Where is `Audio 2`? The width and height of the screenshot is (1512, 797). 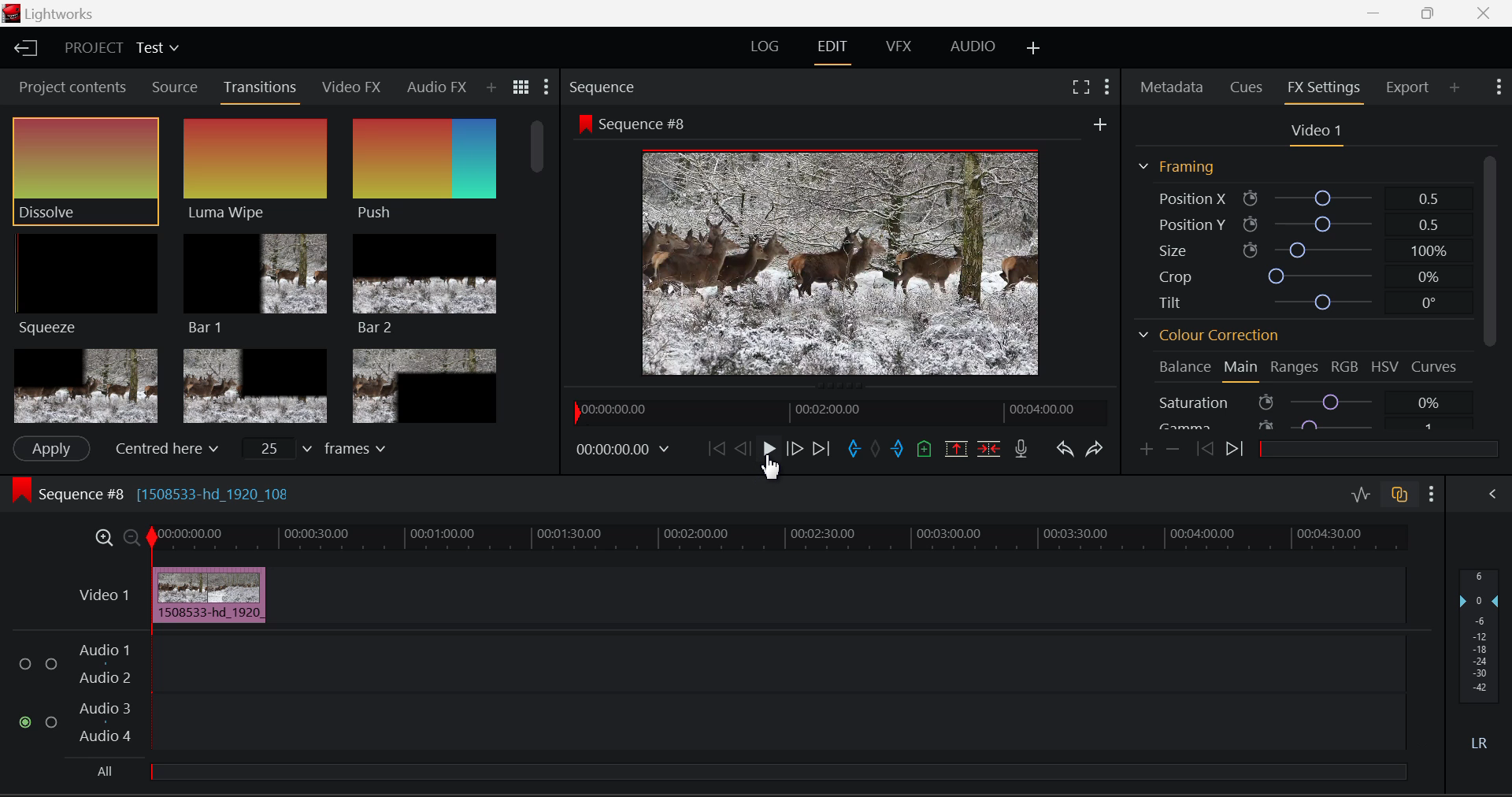 Audio 2 is located at coordinates (106, 679).